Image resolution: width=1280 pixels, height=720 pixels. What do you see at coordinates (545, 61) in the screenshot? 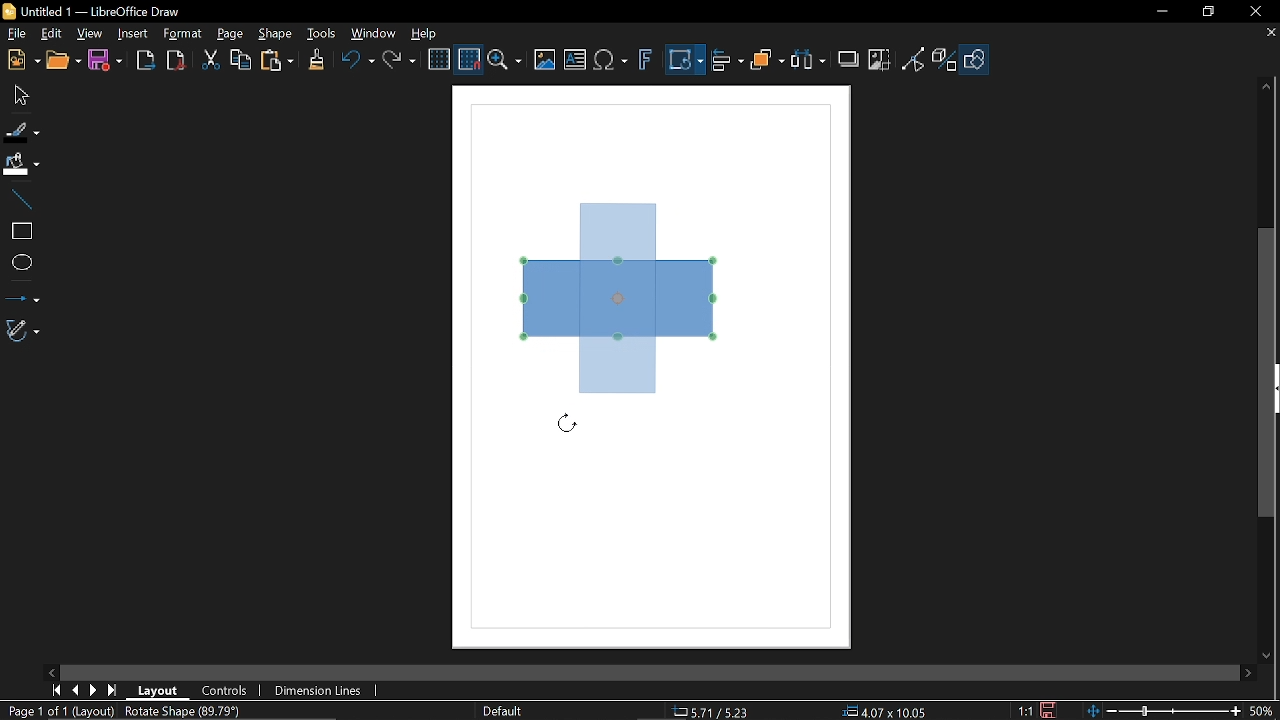
I see `Insert image` at bounding box center [545, 61].